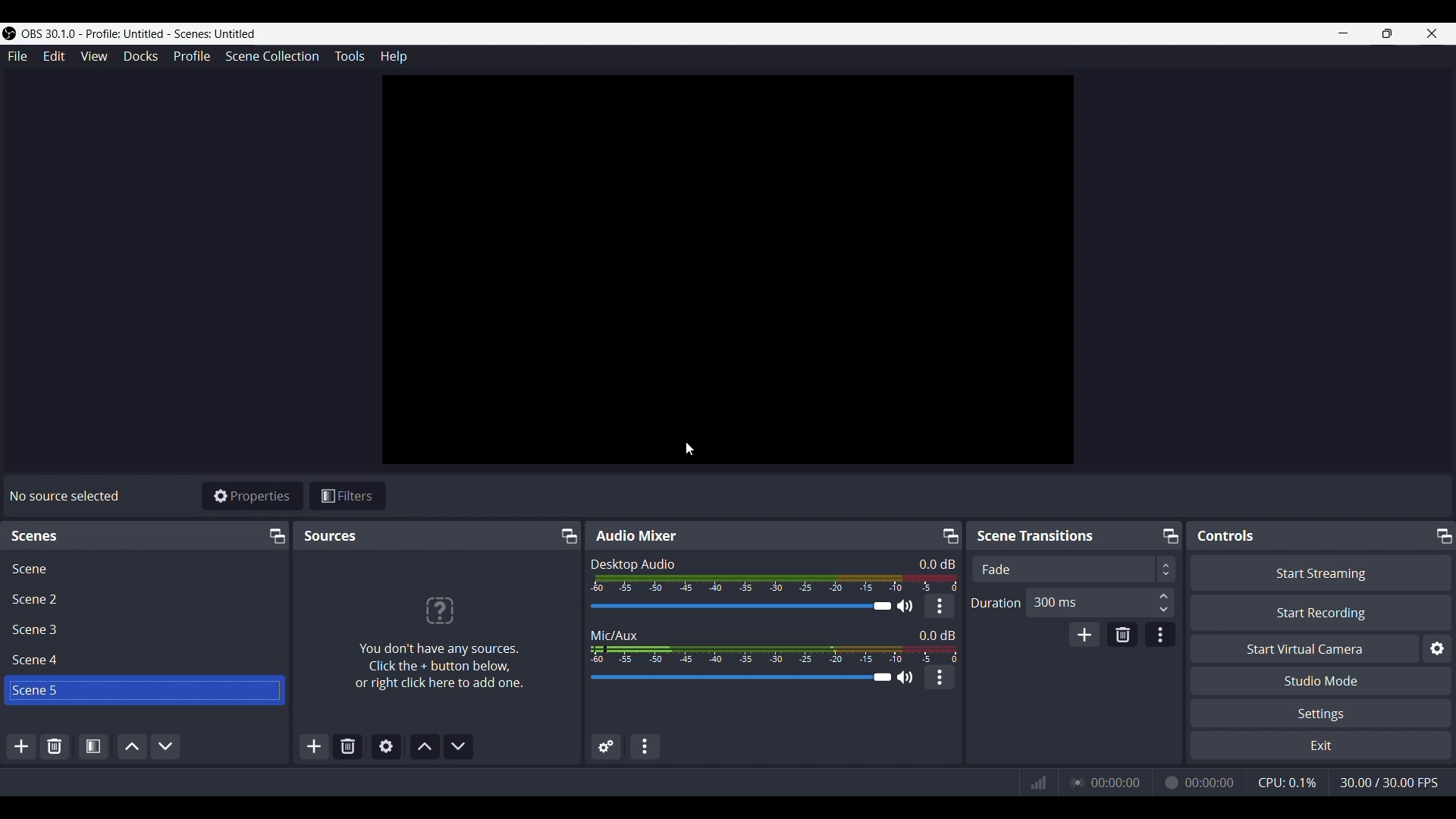 The width and height of the screenshot is (1456, 819). Describe the element at coordinates (729, 270) in the screenshot. I see `File Preview` at that location.